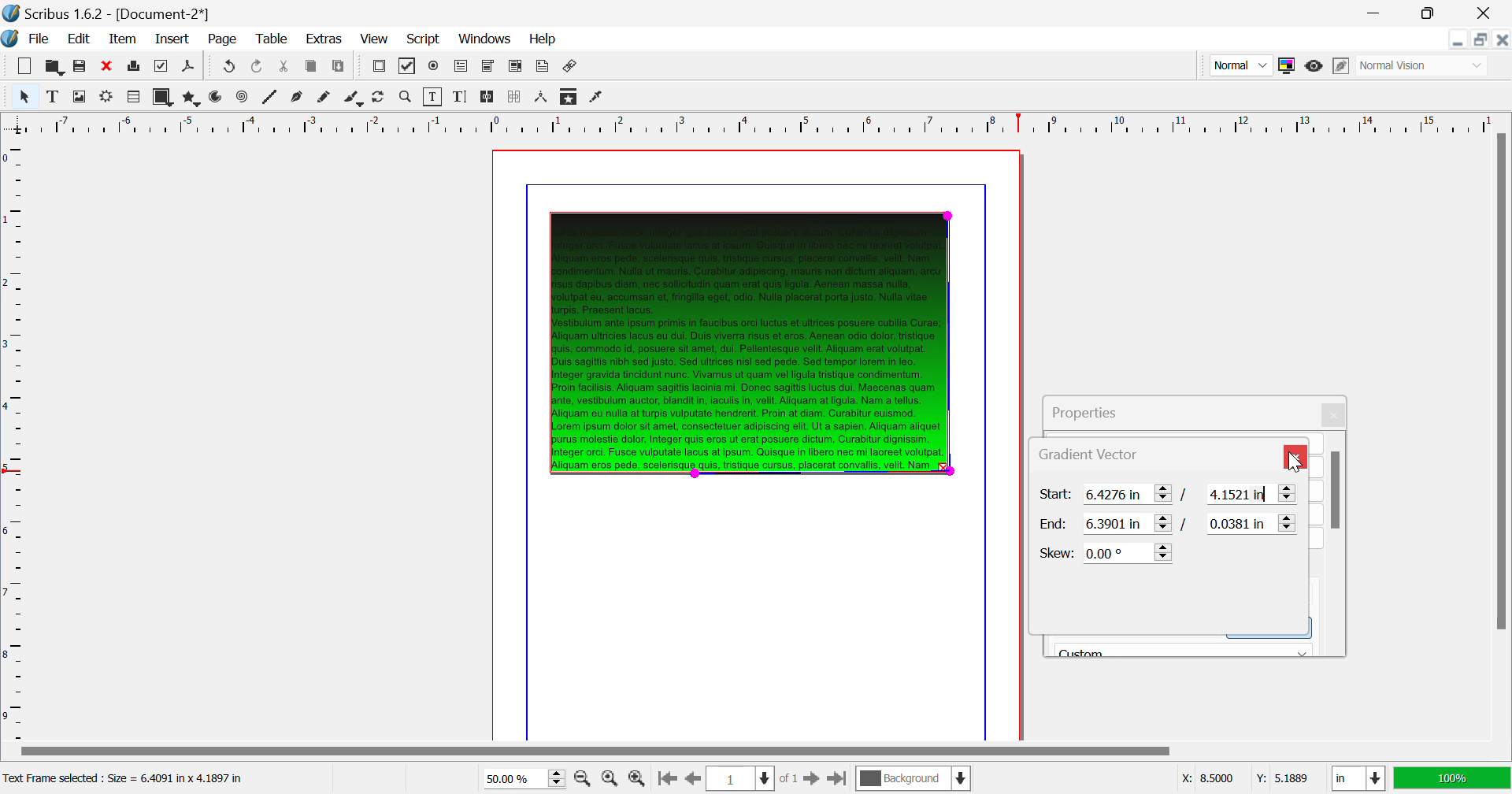 This screenshot has height=794, width=1512. Describe the element at coordinates (135, 66) in the screenshot. I see `Print` at that location.